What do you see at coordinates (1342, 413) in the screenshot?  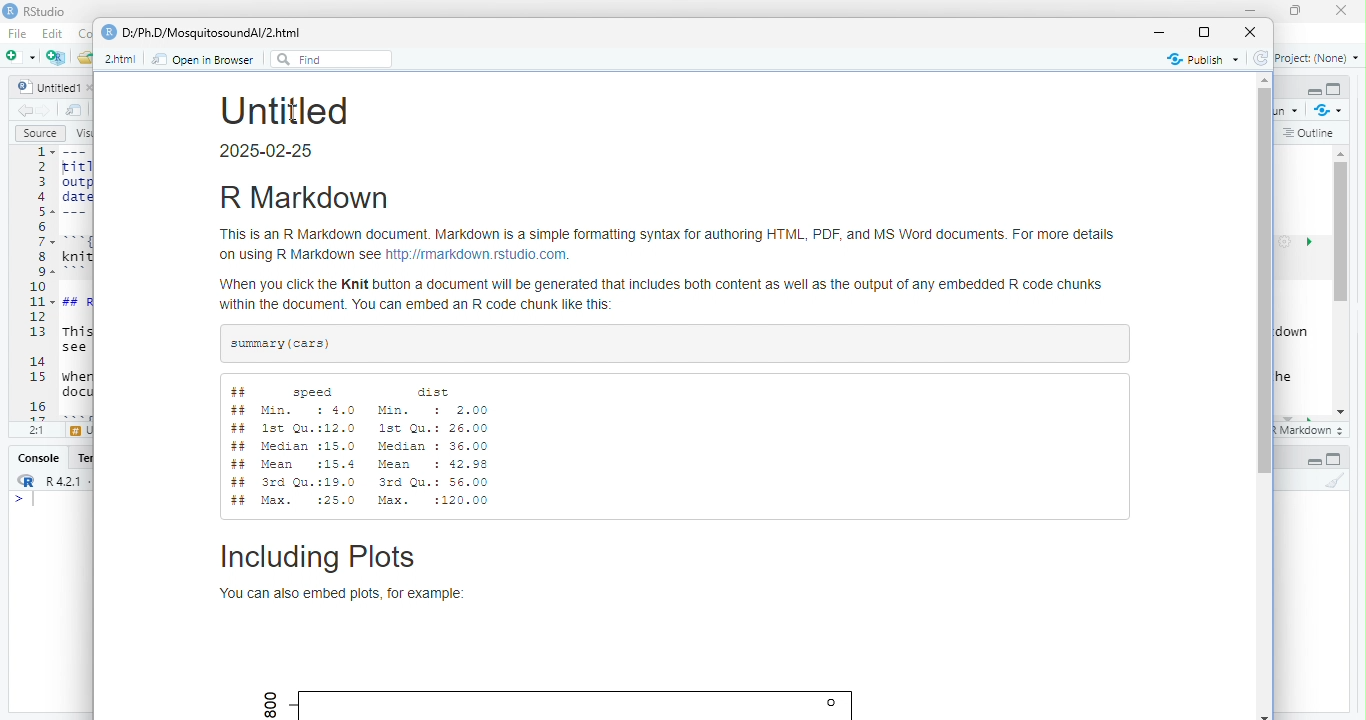 I see `scroll down` at bounding box center [1342, 413].